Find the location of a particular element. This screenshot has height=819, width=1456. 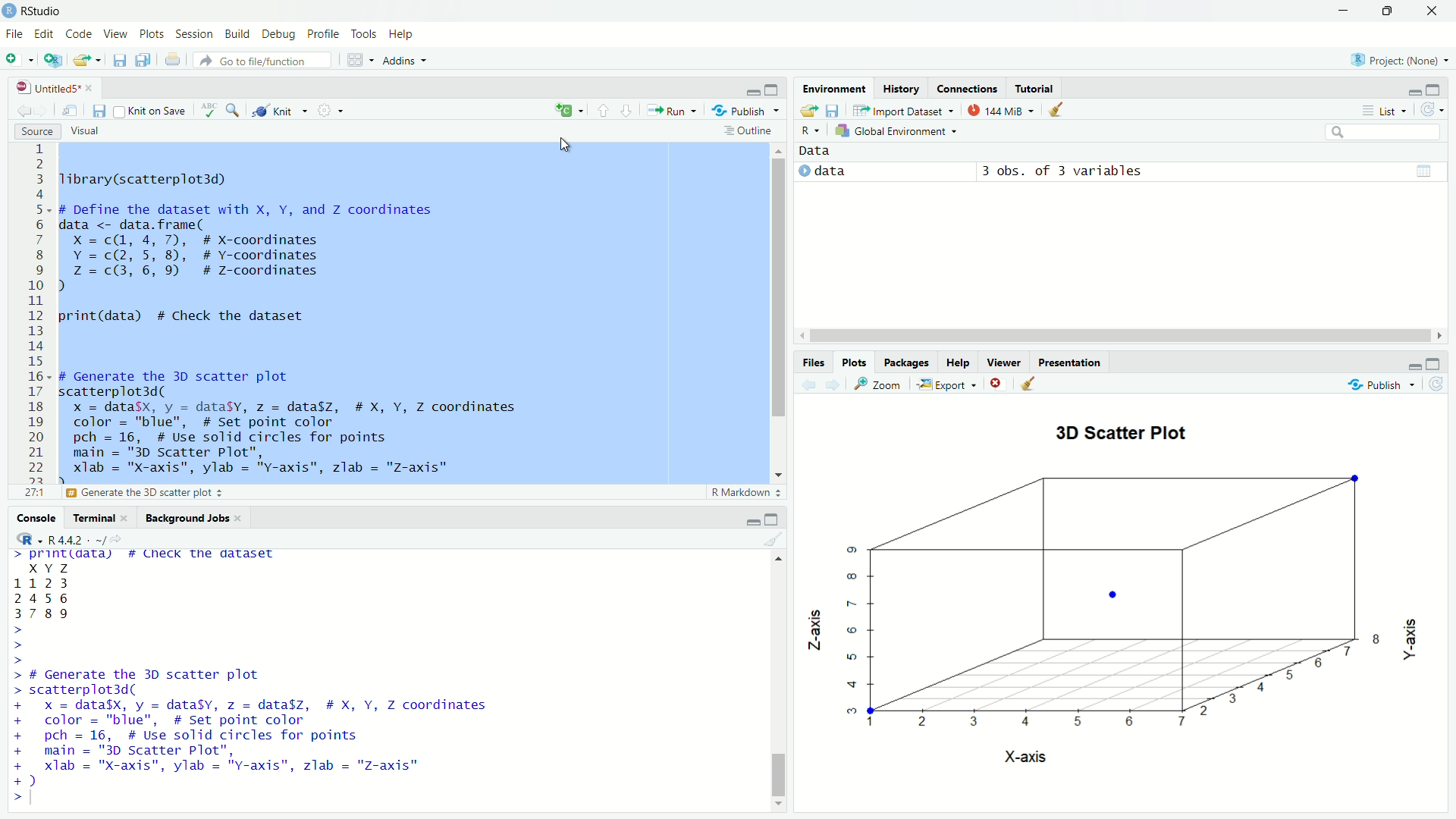

new file is located at coordinates (17, 60).